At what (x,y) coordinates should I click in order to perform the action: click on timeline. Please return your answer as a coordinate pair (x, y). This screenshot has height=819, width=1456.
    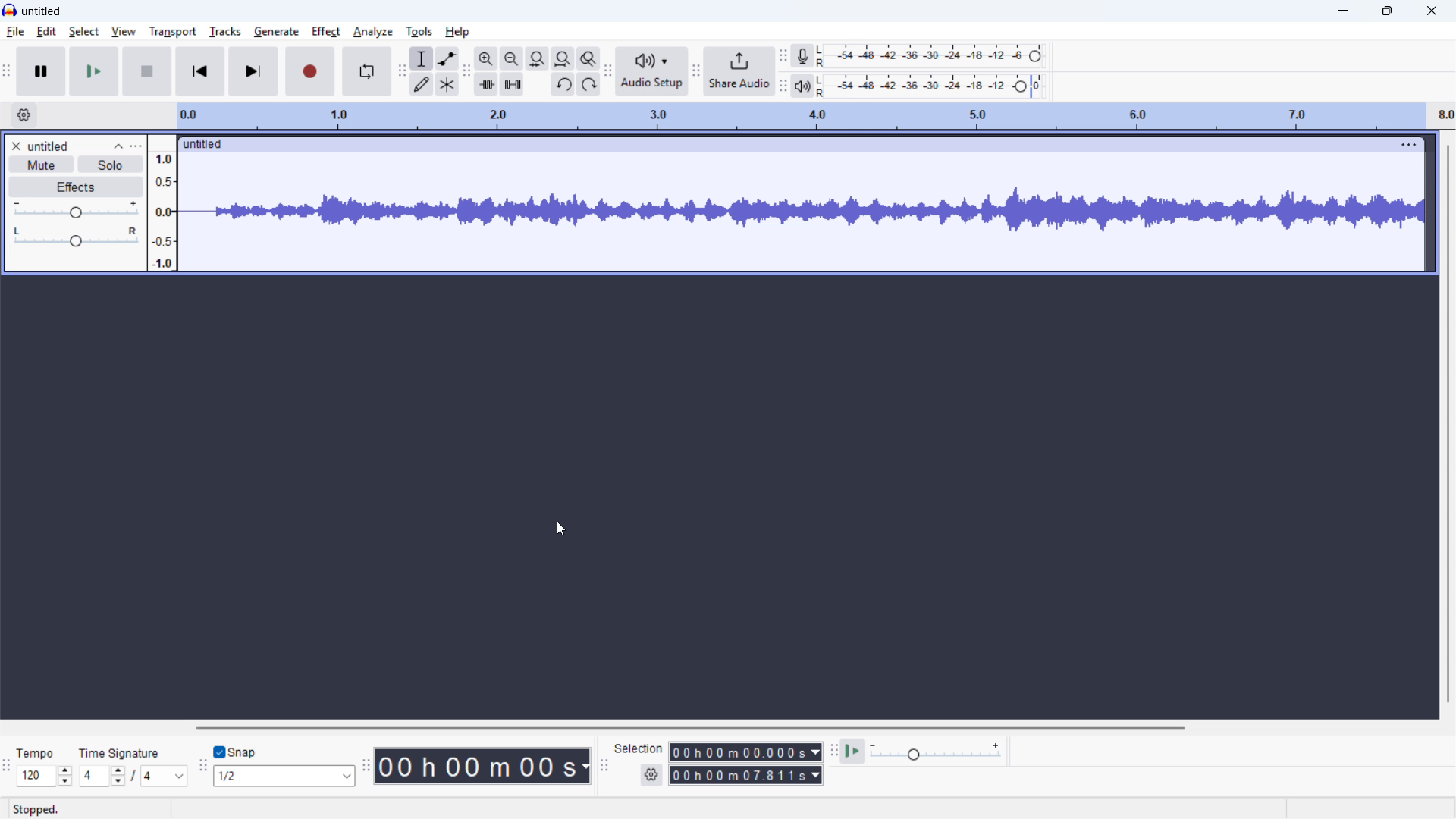
    Looking at the image, I should click on (814, 116).